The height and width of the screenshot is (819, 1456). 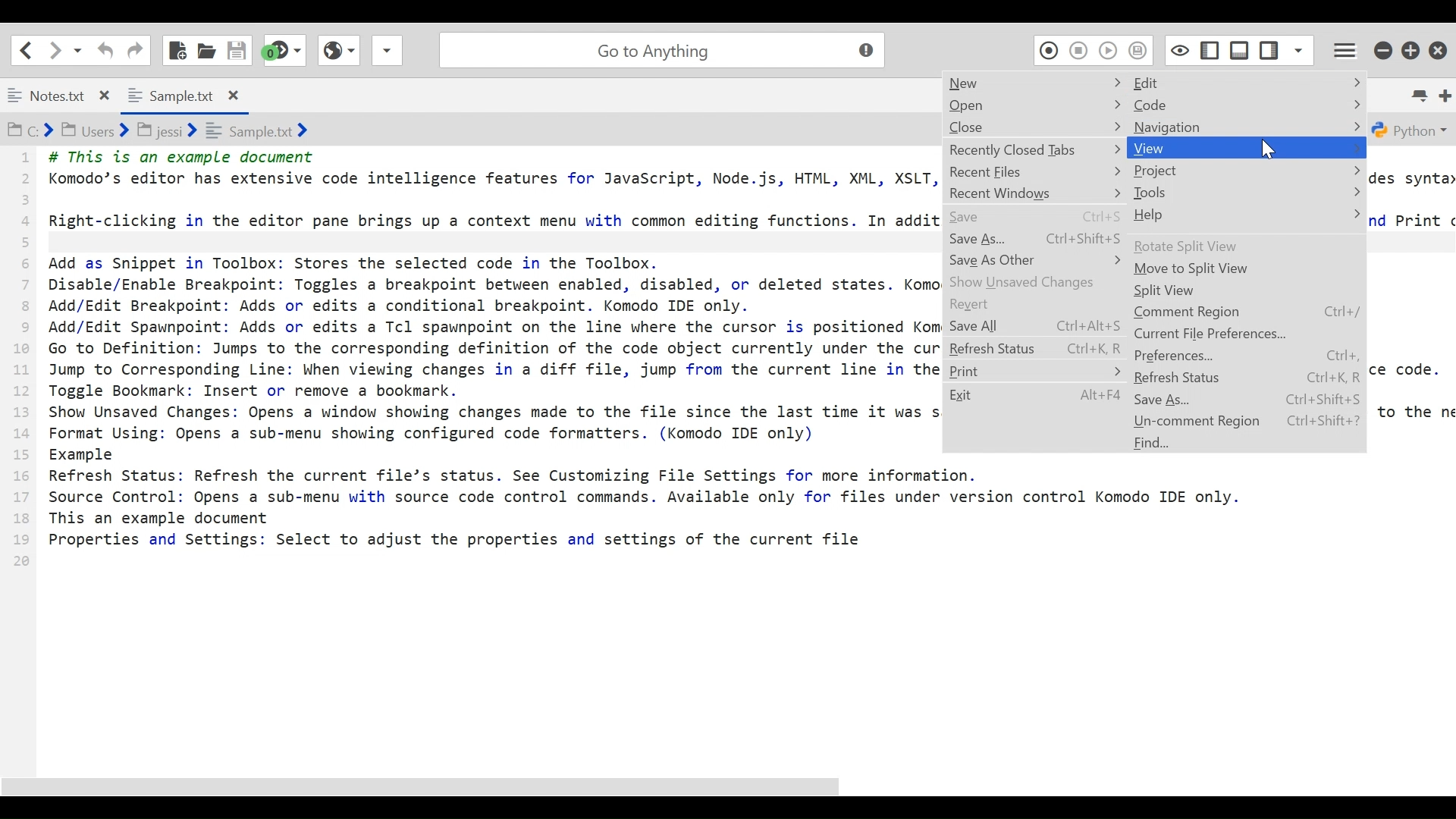 What do you see at coordinates (1246, 270) in the screenshot?
I see `Move to Split View` at bounding box center [1246, 270].